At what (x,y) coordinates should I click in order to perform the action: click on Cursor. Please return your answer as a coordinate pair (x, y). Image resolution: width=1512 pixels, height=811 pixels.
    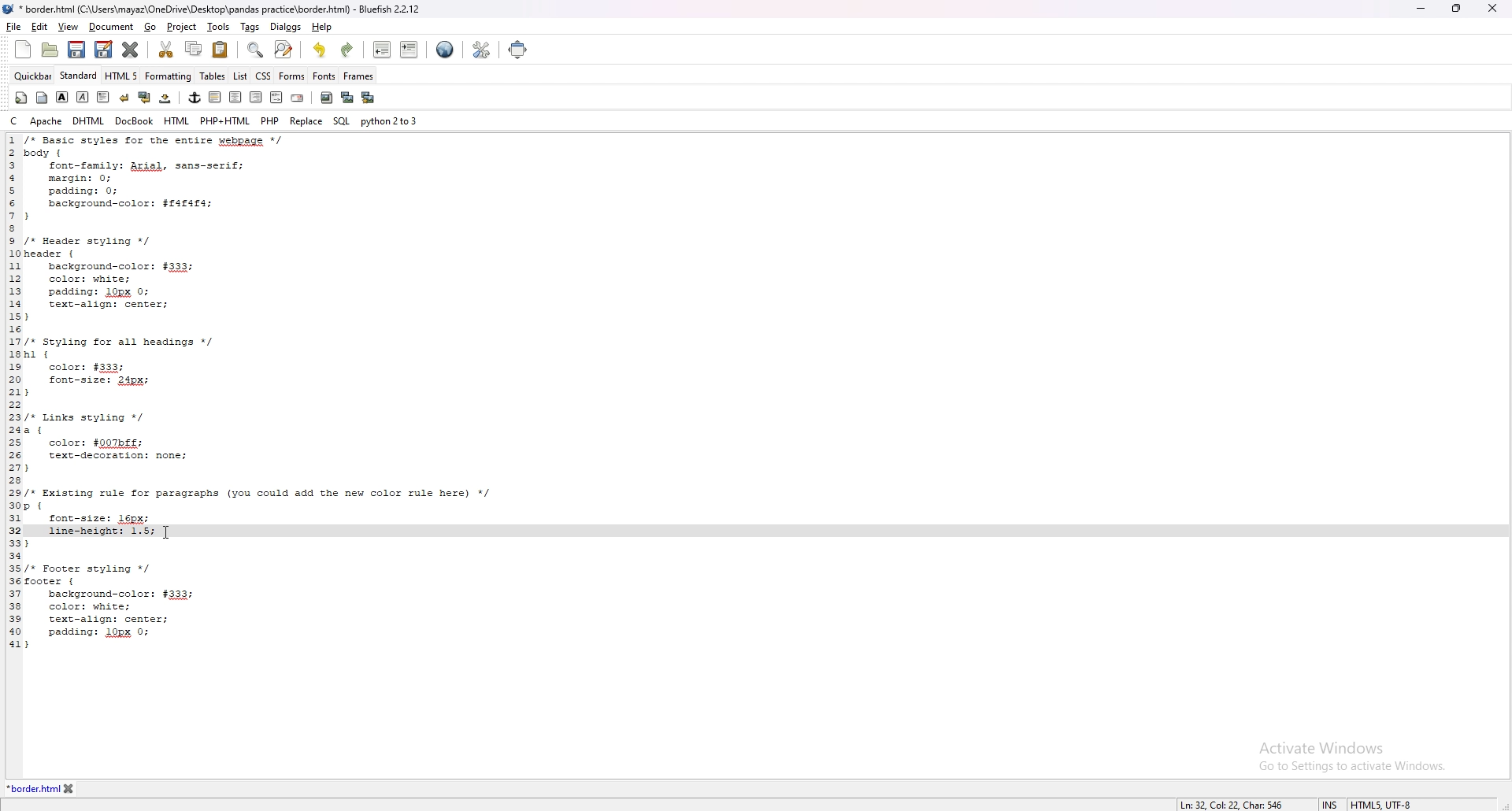
    Looking at the image, I should click on (166, 532).